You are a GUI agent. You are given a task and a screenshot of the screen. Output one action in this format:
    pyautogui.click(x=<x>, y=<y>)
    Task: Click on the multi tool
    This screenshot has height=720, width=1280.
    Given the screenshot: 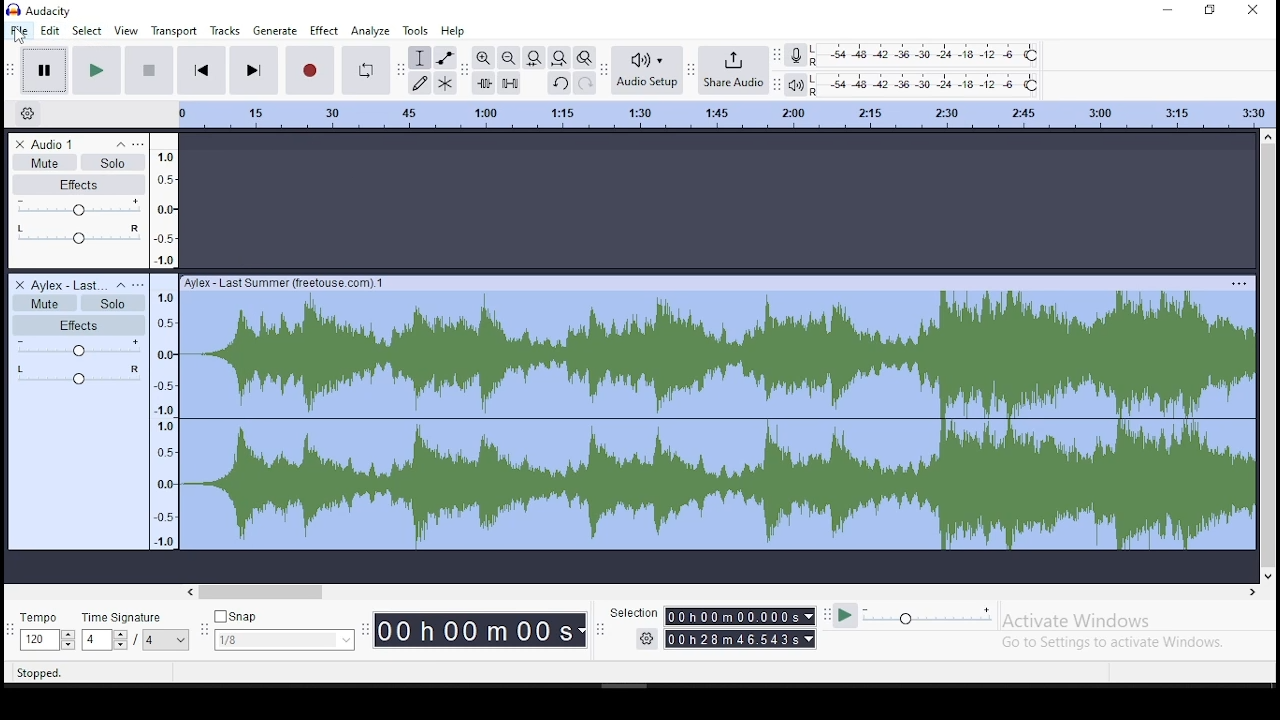 What is the action you would take?
    pyautogui.click(x=445, y=82)
    